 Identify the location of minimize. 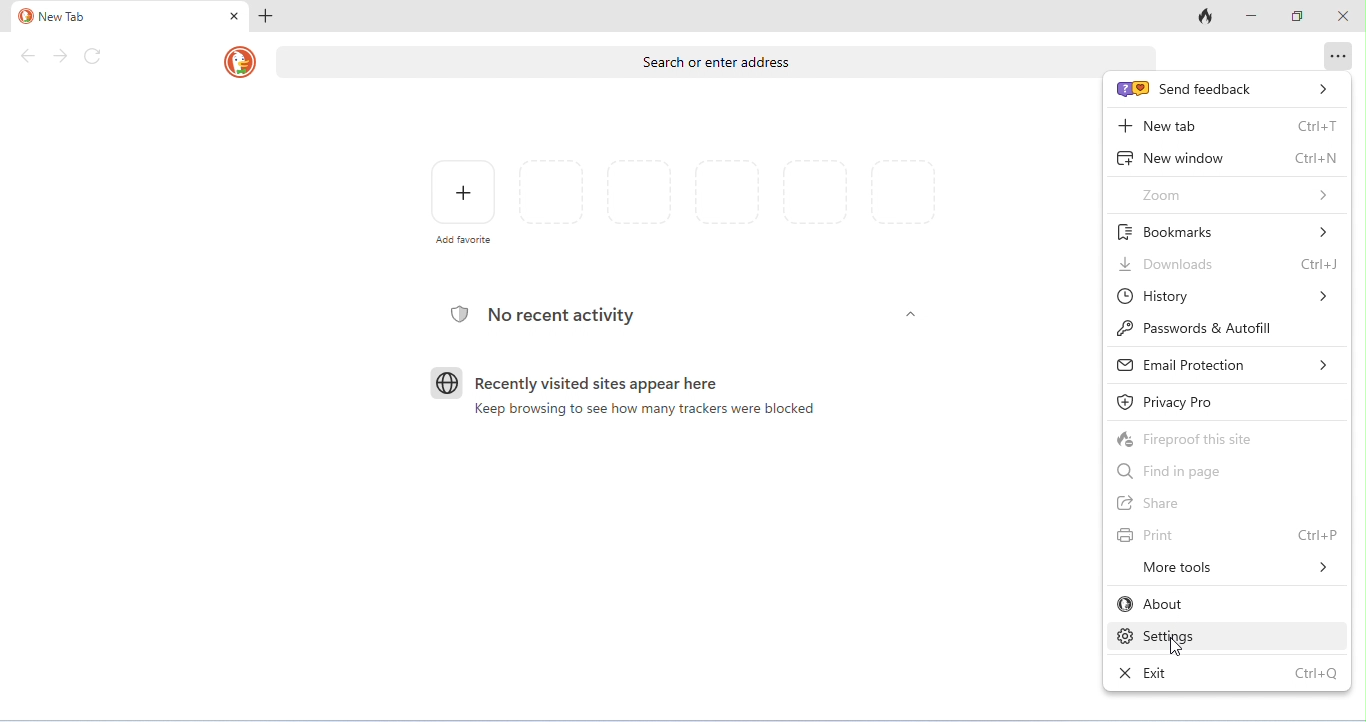
(1250, 15).